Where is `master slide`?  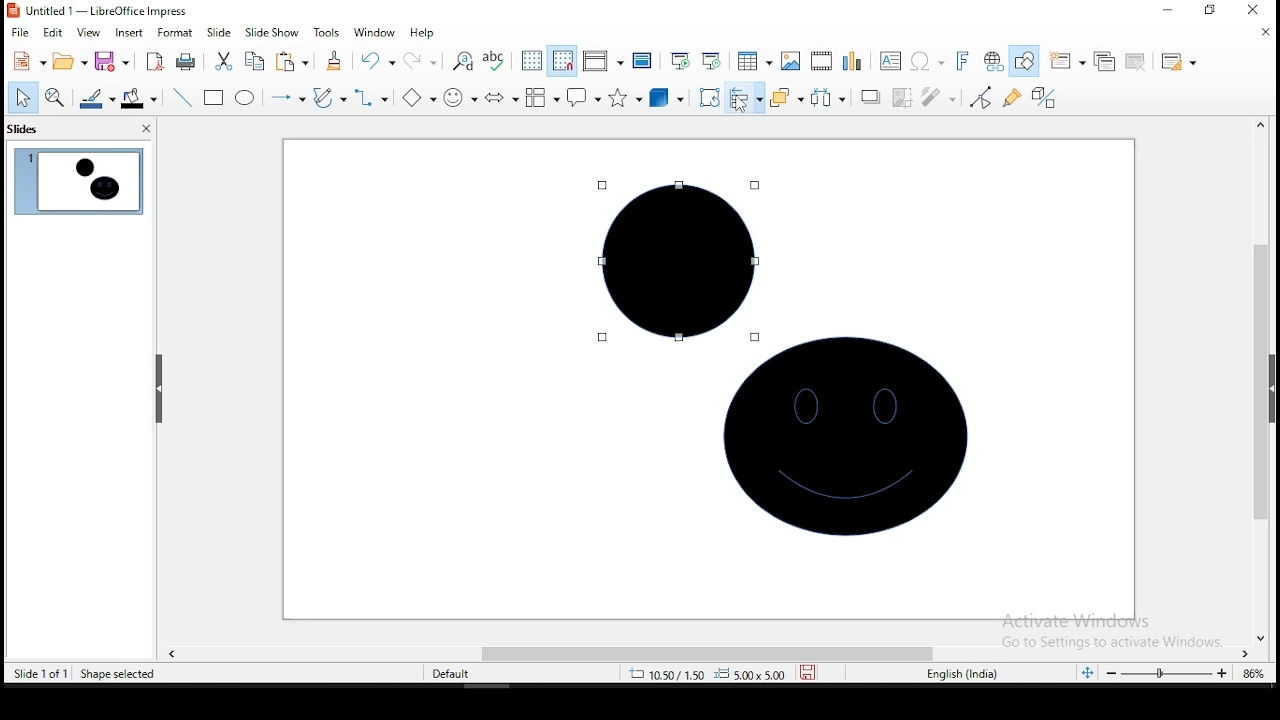 master slide is located at coordinates (641, 61).